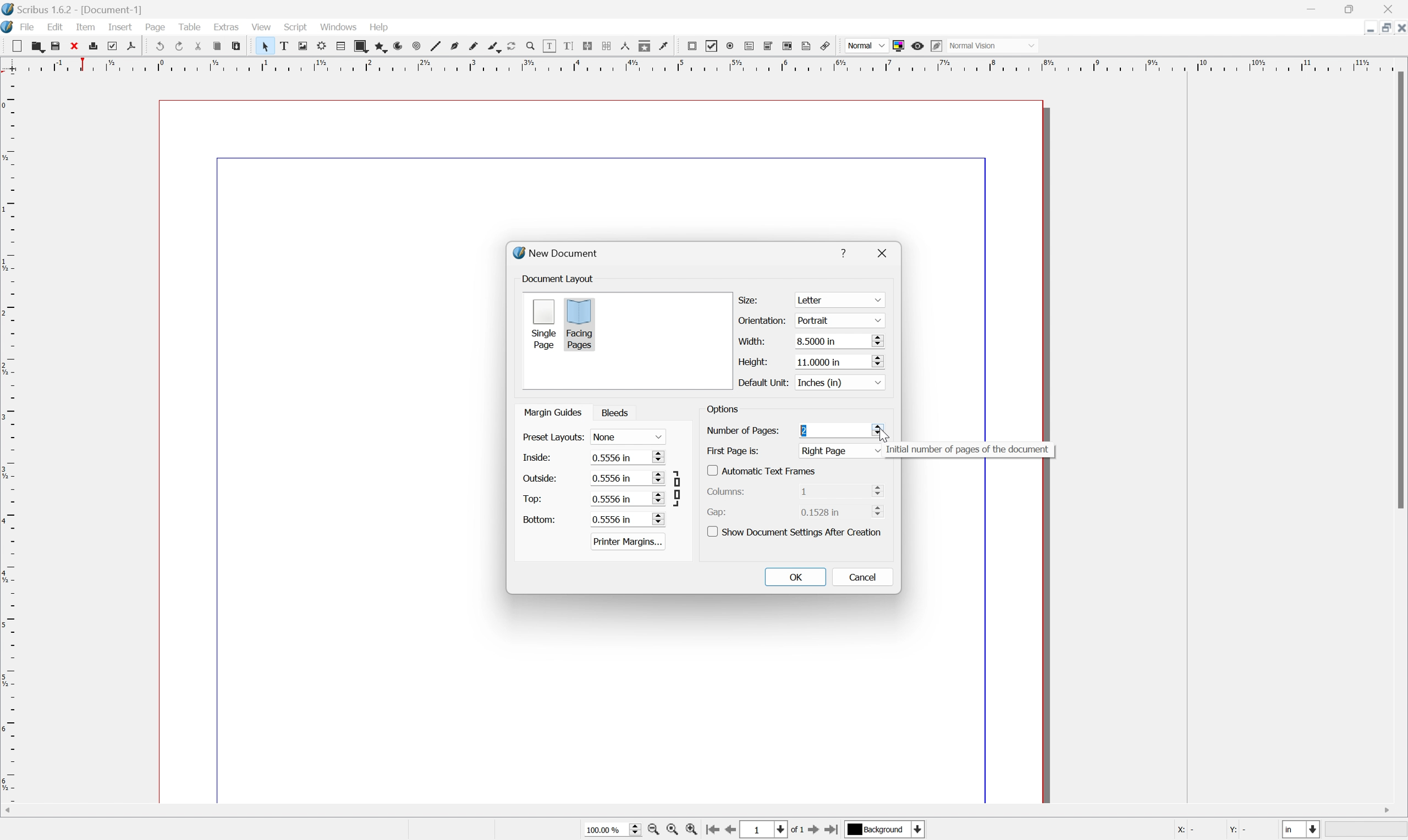 The image size is (1408, 840). What do you see at coordinates (997, 46) in the screenshot?
I see `Normal vision` at bounding box center [997, 46].